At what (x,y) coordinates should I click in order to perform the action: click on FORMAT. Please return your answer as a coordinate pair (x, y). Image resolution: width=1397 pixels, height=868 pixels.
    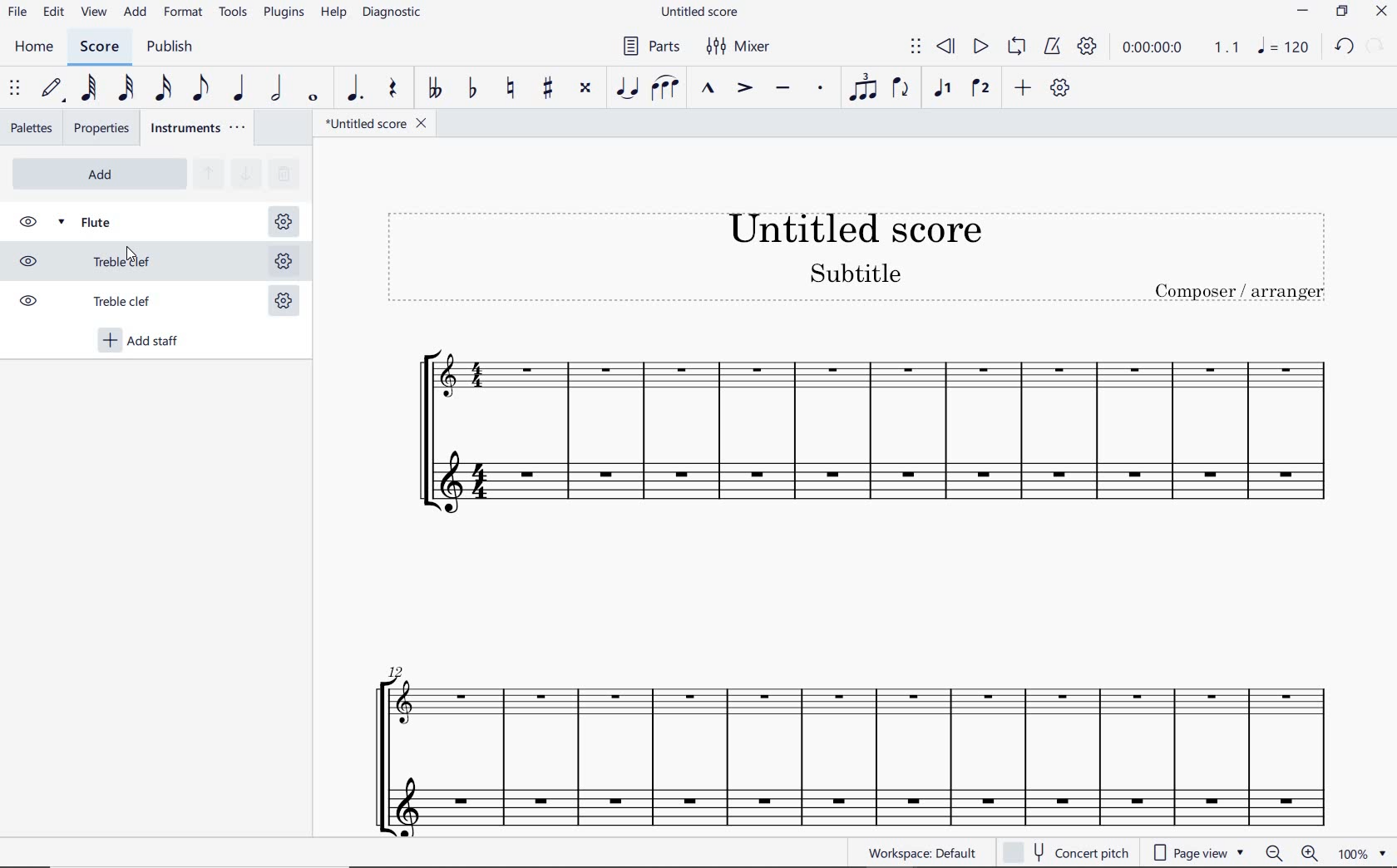
    Looking at the image, I should click on (184, 12).